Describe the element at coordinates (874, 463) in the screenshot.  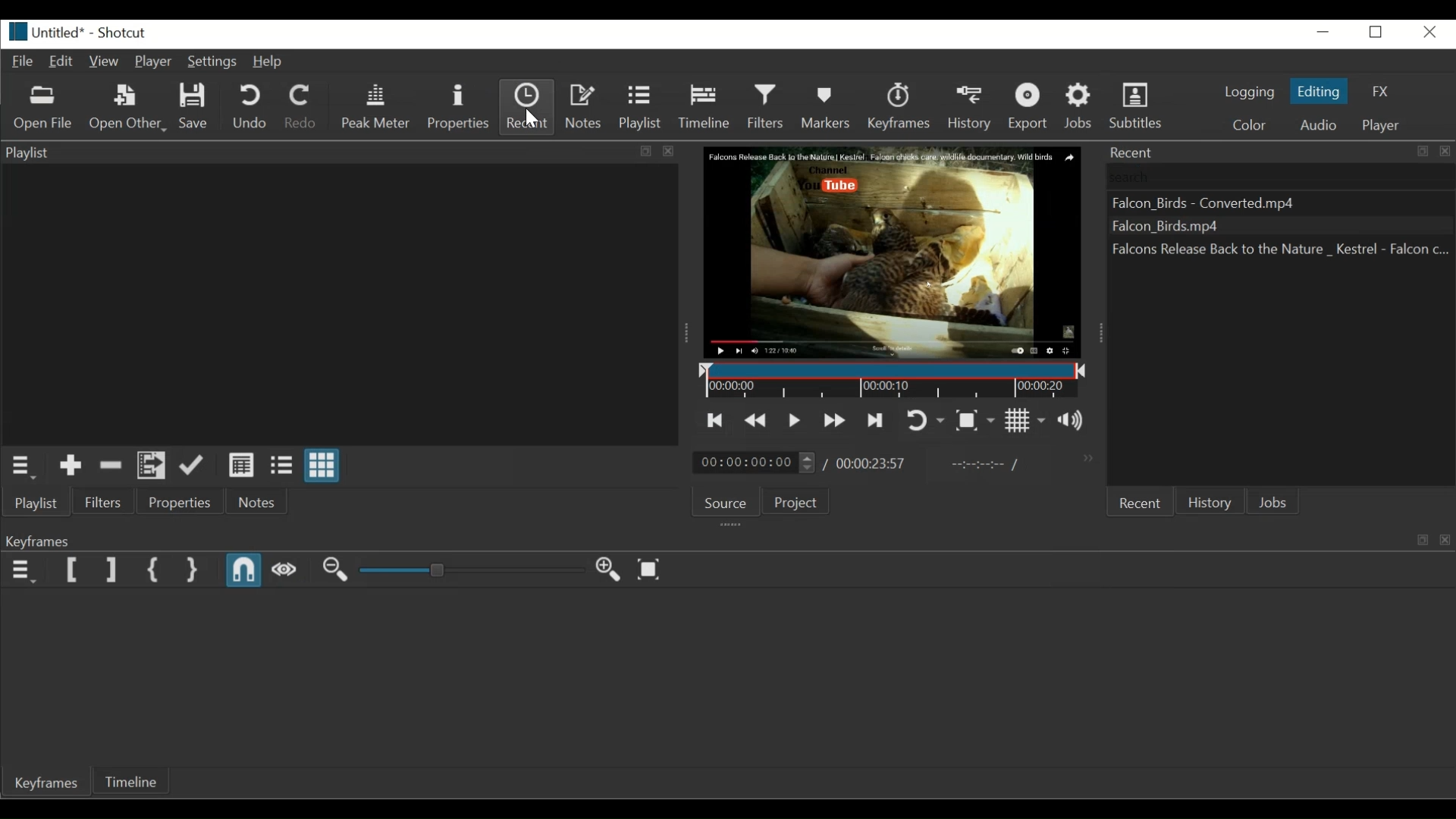
I see `Total duration` at that location.